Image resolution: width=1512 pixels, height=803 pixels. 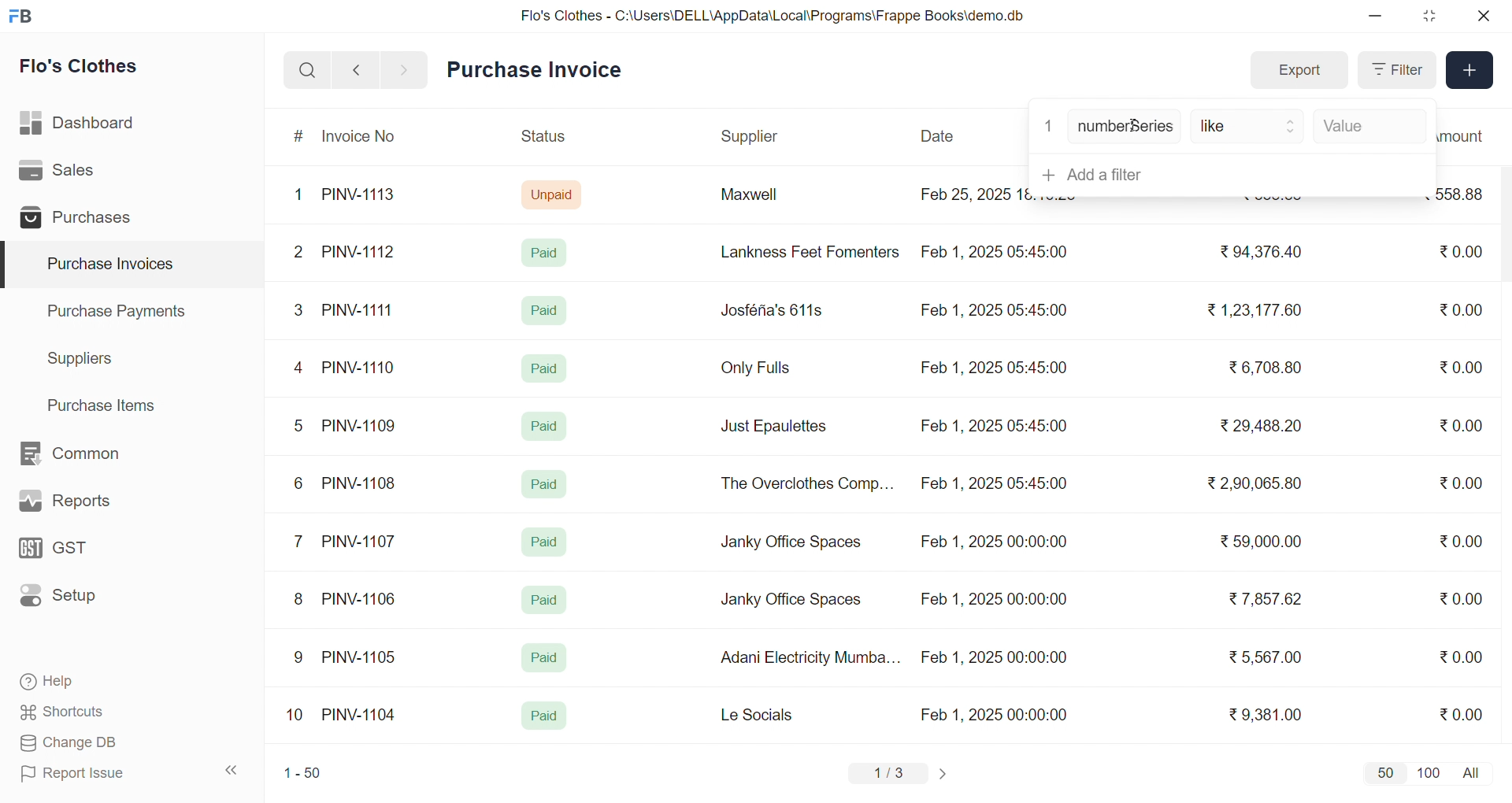 I want to click on 50, so click(x=1384, y=772).